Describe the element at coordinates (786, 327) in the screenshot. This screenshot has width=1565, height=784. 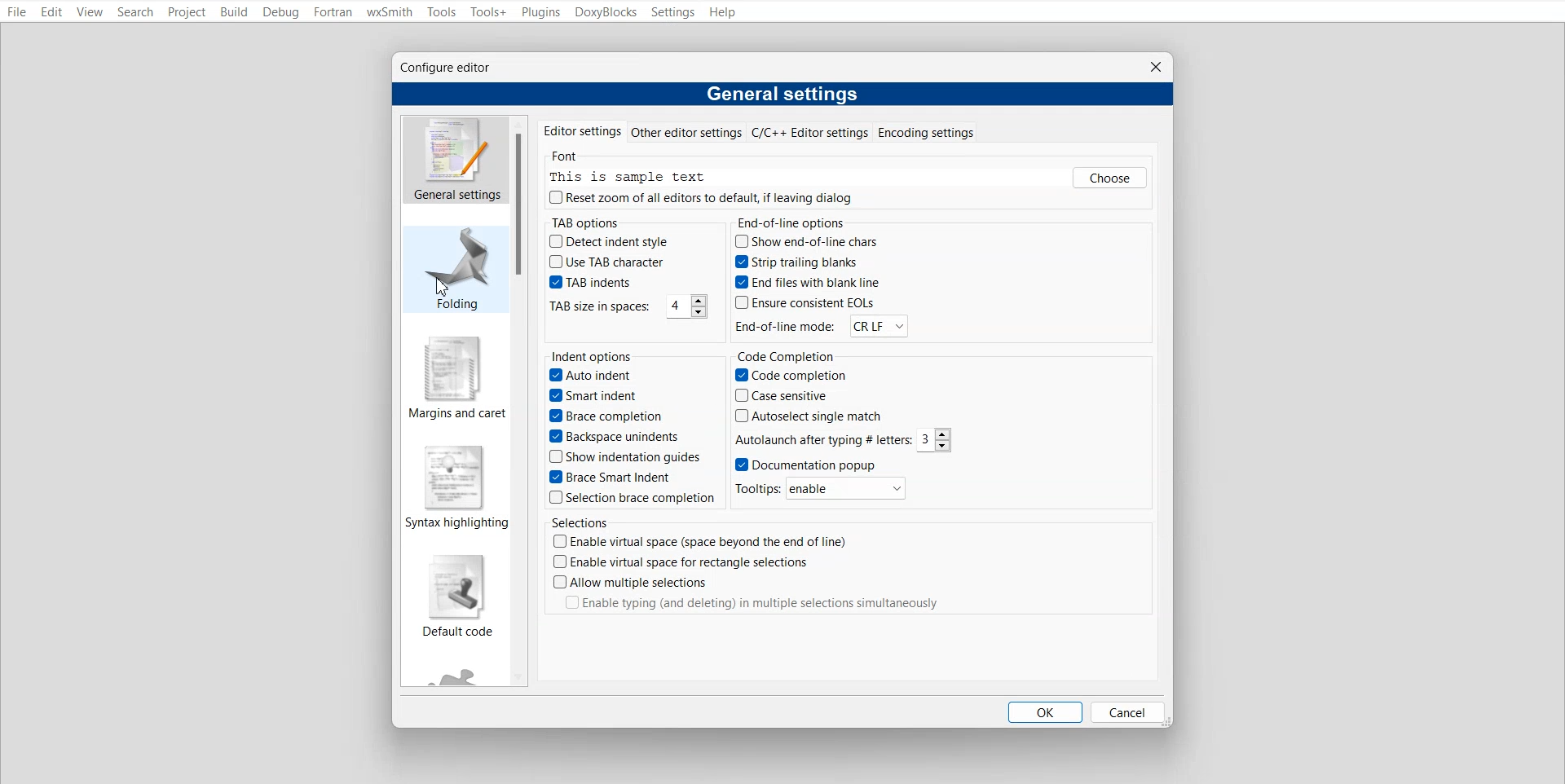
I see `‘End-of-line mode:` at that location.